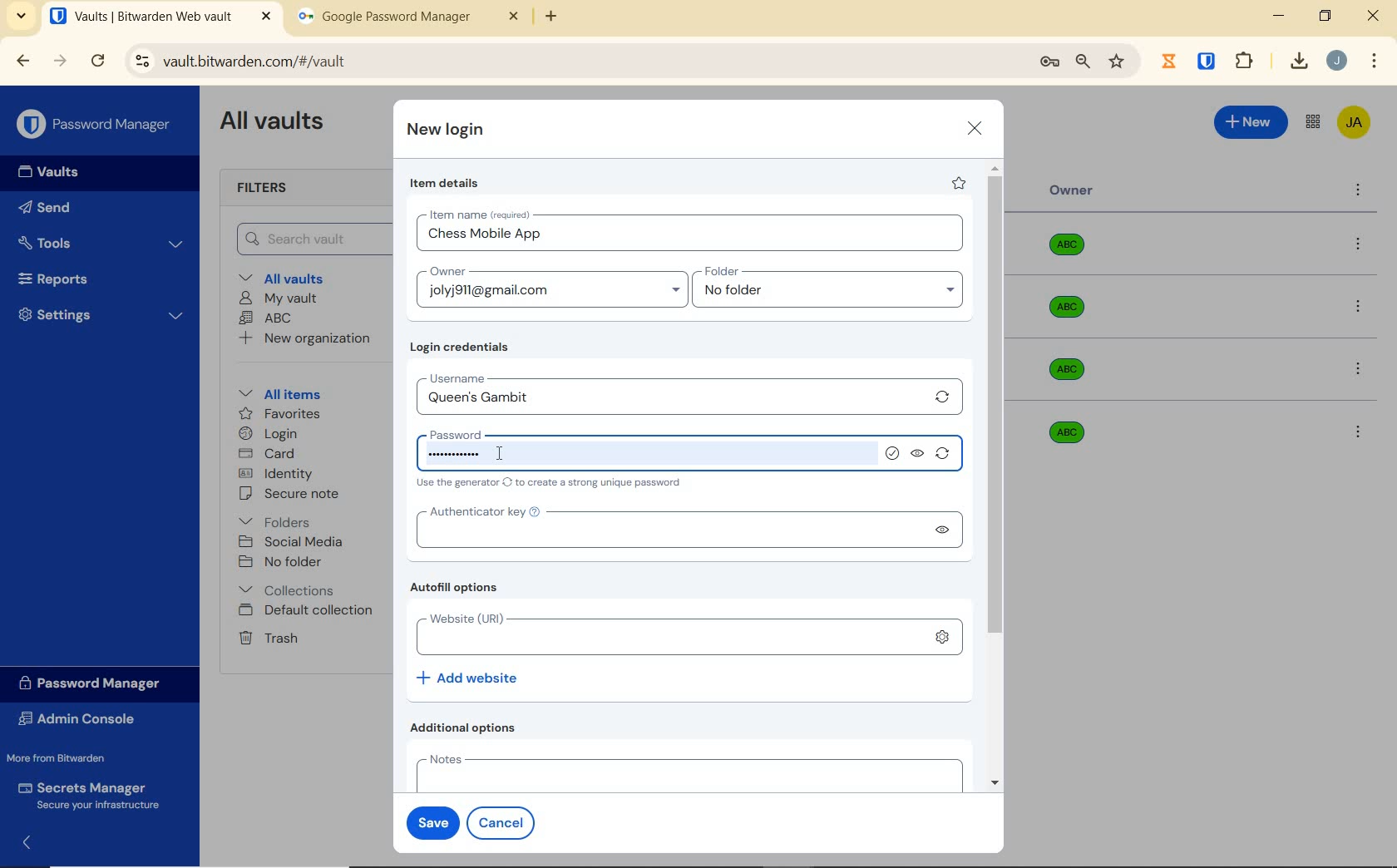 The width and height of the screenshot is (1397, 868). I want to click on username added, so click(670, 398).